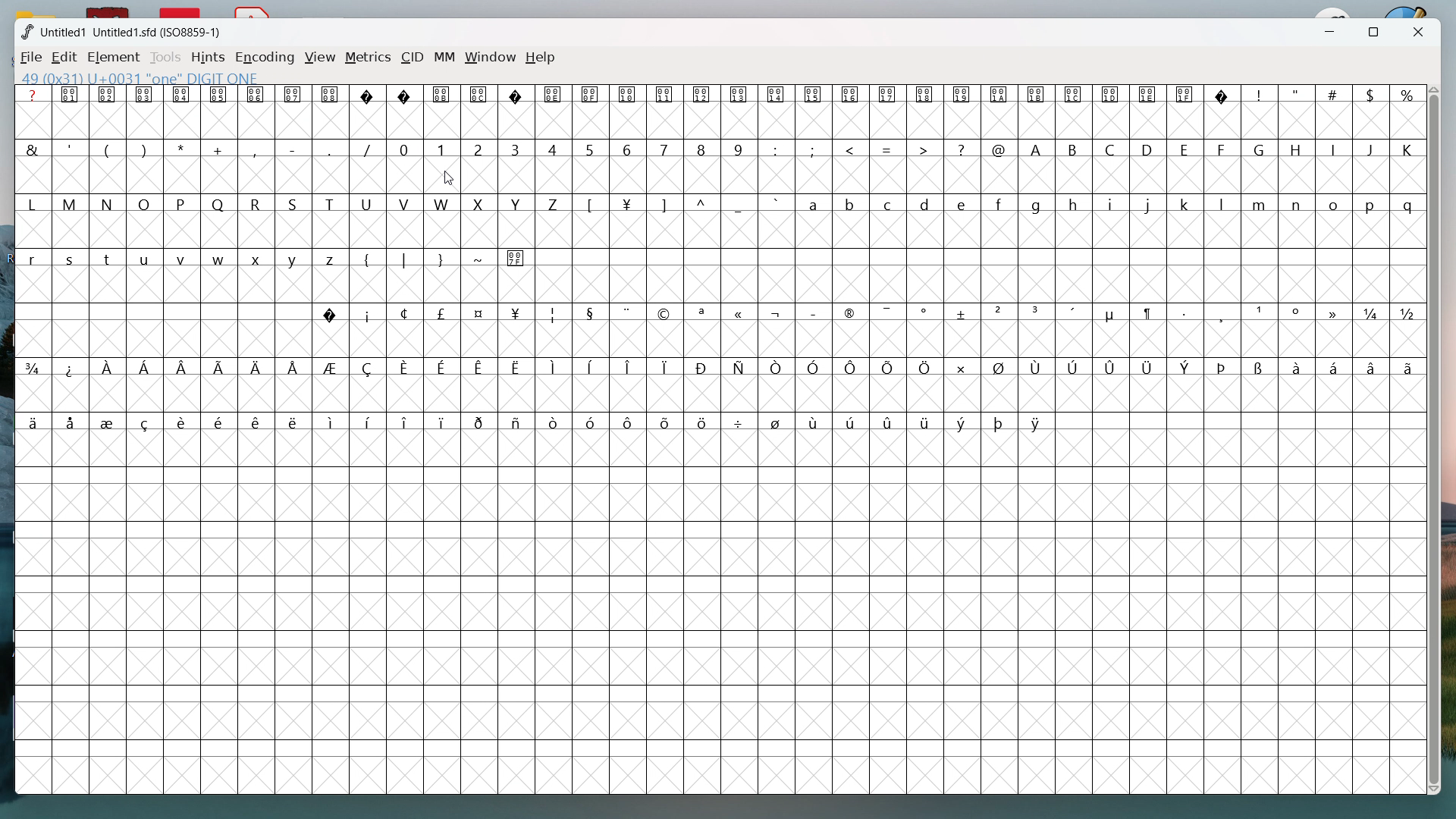 The height and width of the screenshot is (819, 1456). I want to click on edit, so click(64, 58).